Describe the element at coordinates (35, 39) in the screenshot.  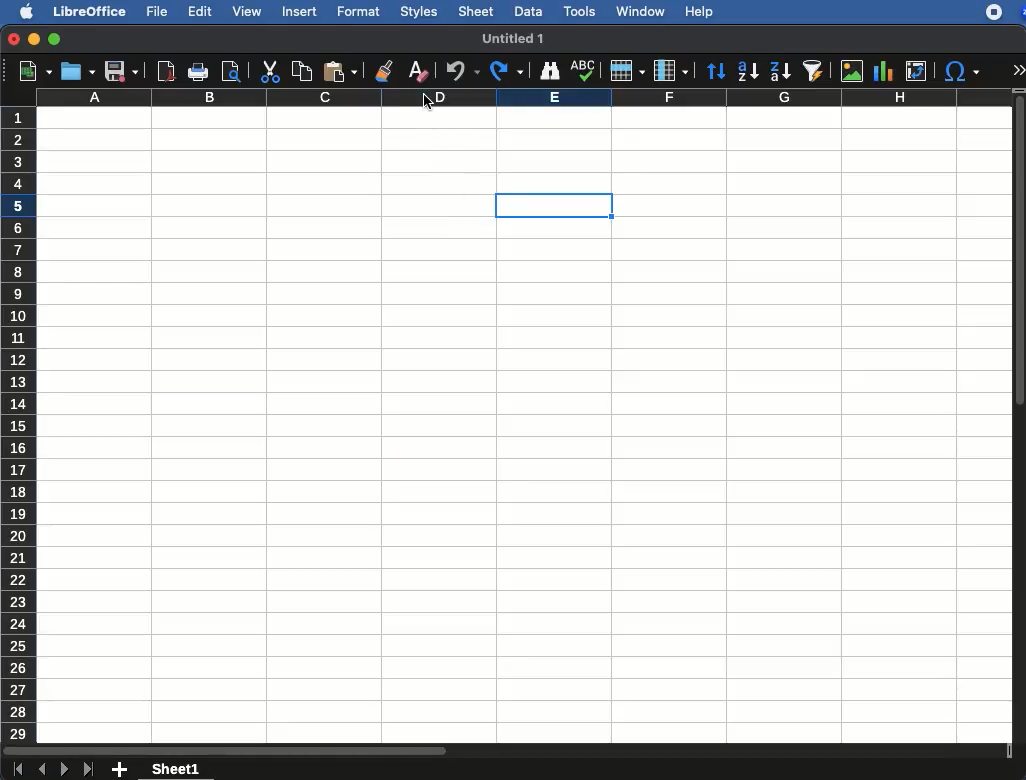
I see `minimize` at that location.